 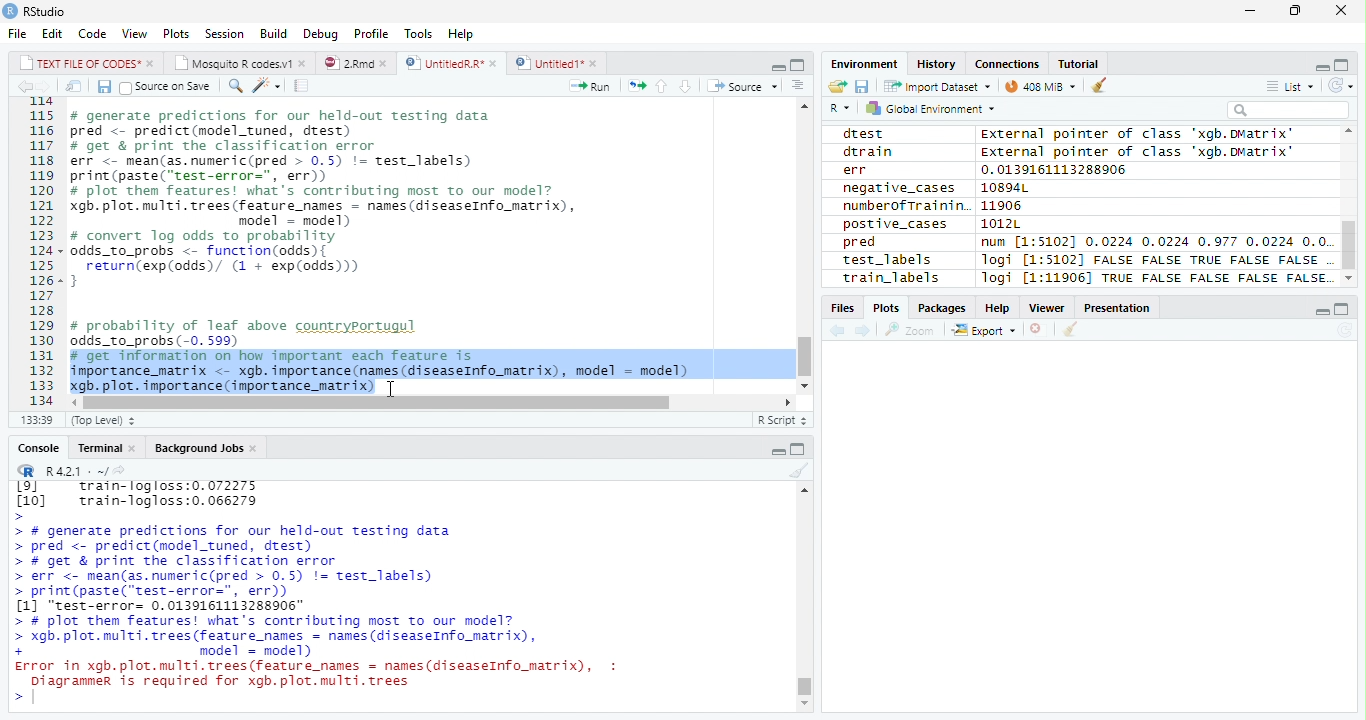 What do you see at coordinates (1341, 307) in the screenshot?
I see `Maximize` at bounding box center [1341, 307].